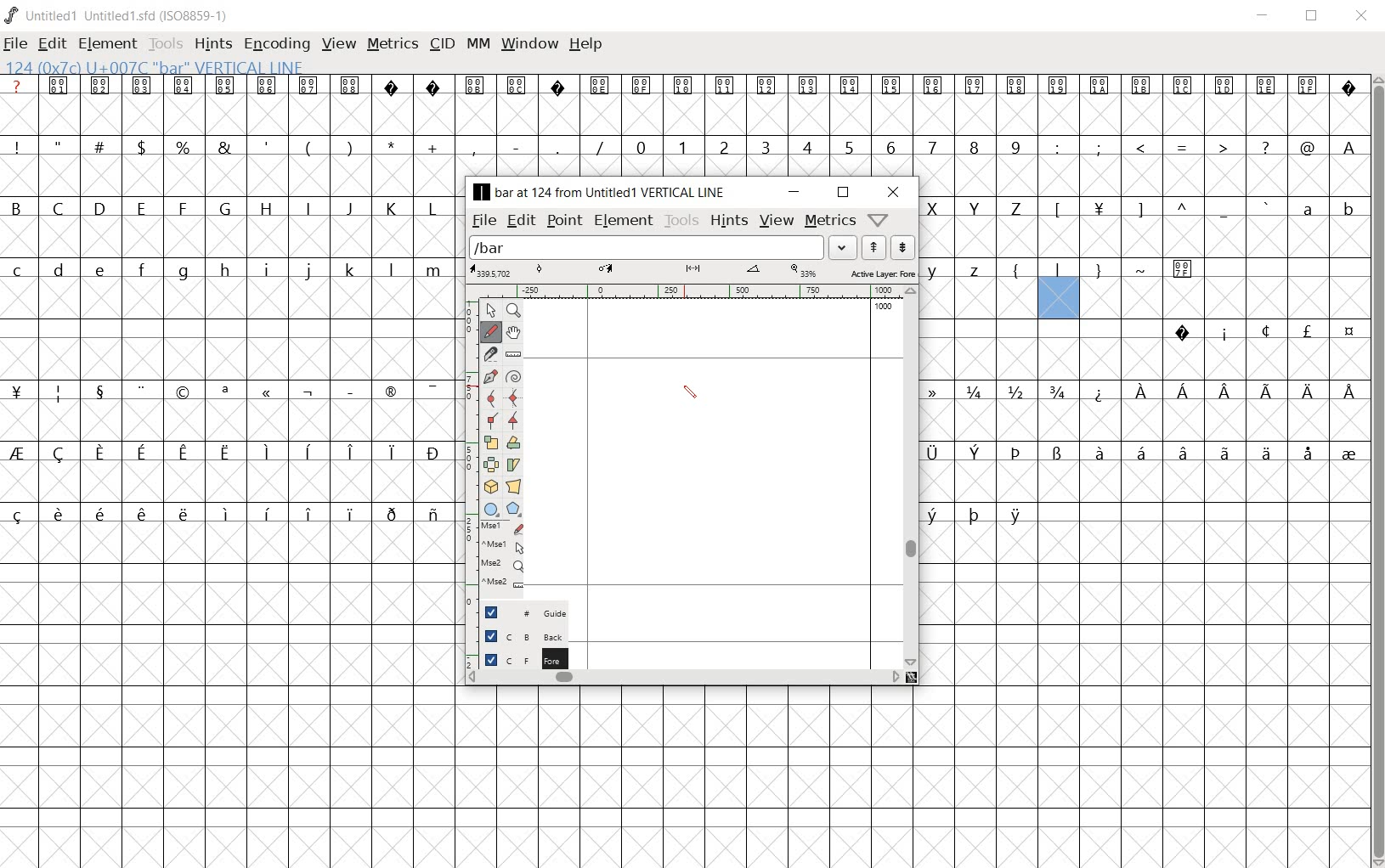 Image resolution: width=1385 pixels, height=868 pixels. What do you see at coordinates (1068, 270) in the screenshot?
I see `letters and symbols` at bounding box center [1068, 270].